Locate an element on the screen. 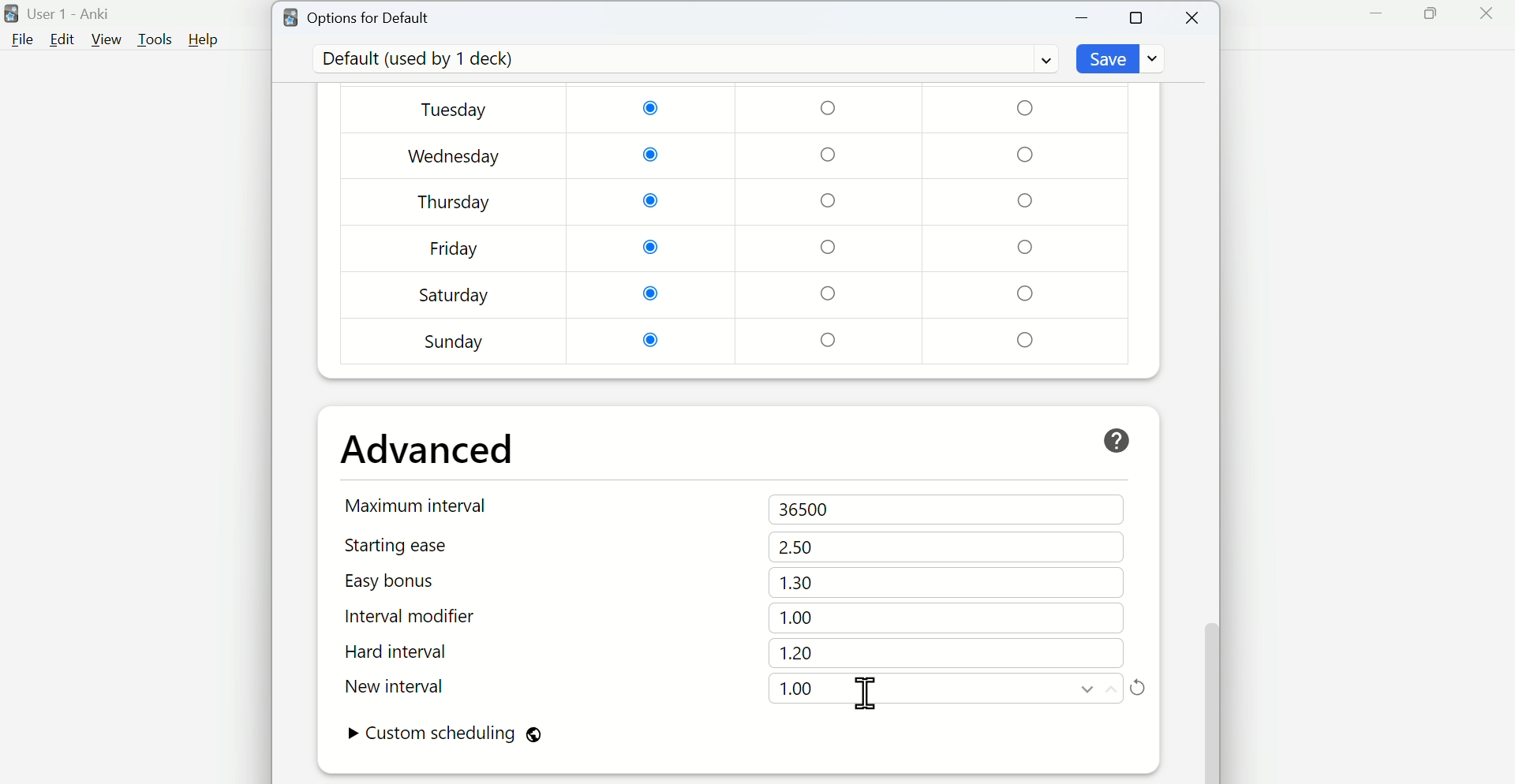 The image size is (1515, 784). Maximize is located at coordinates (1137, 17).